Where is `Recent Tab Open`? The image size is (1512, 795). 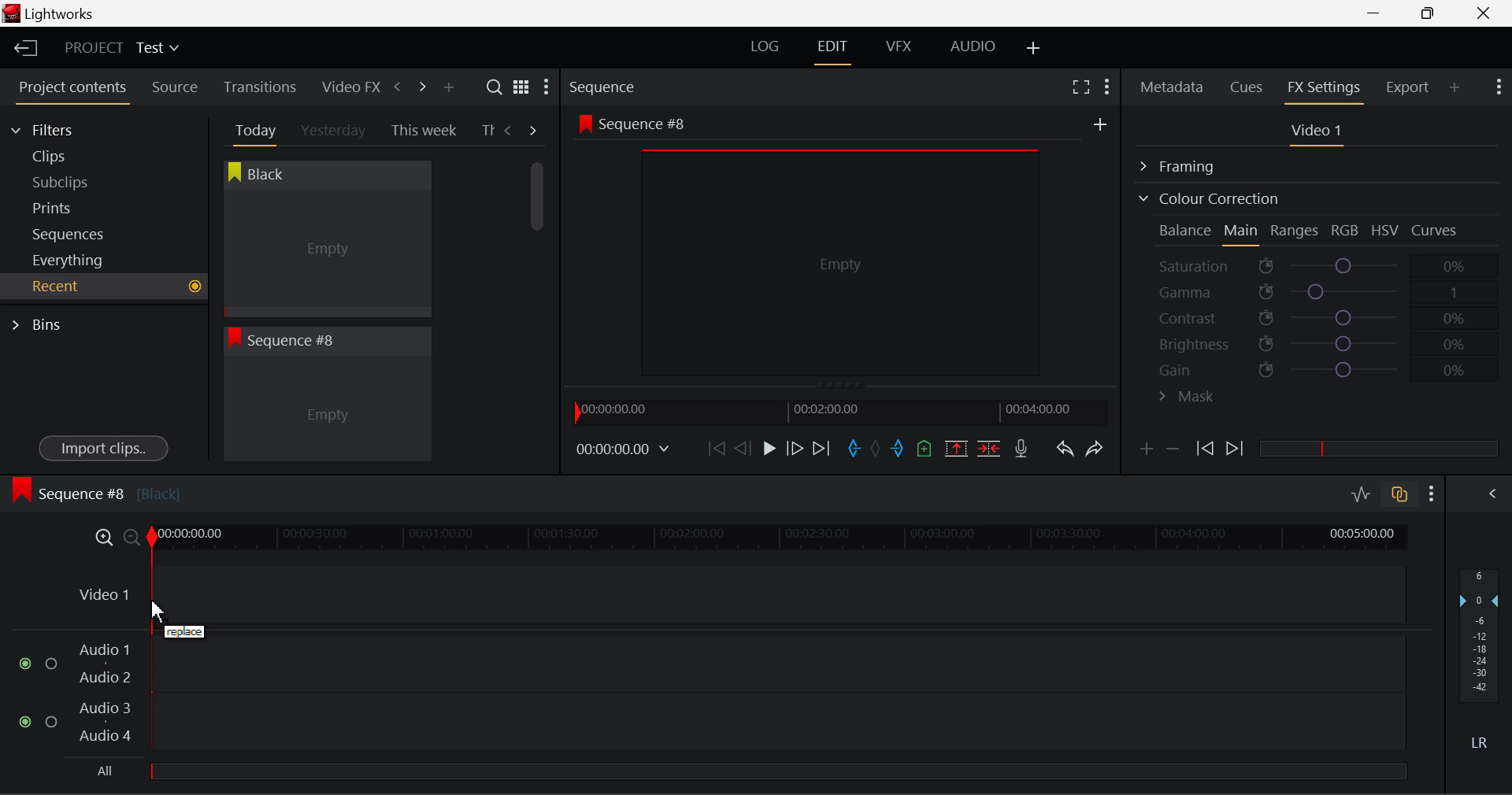
Recent Tab Open is located at coordinates (104, 287).